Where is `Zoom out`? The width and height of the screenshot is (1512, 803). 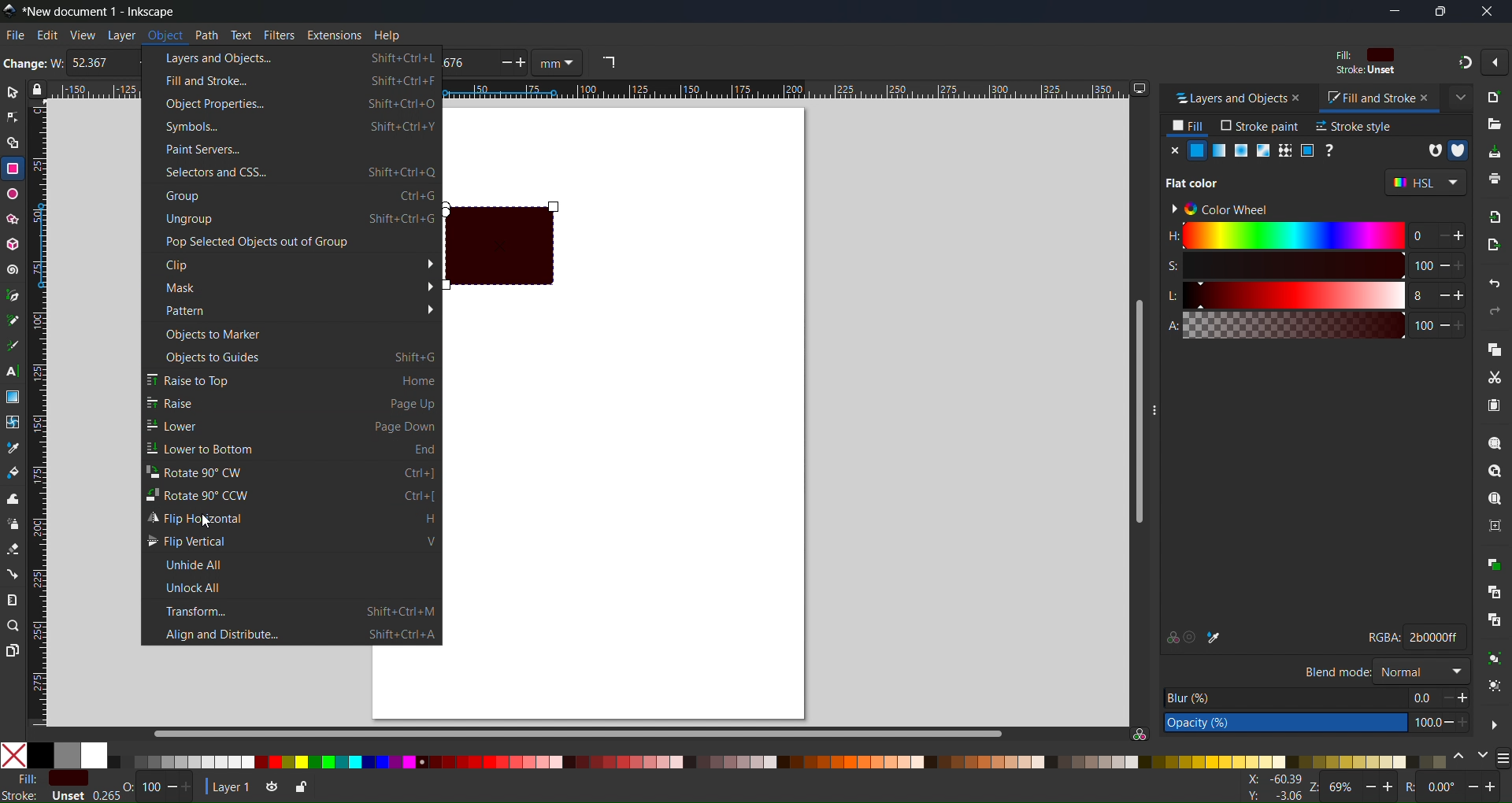 Zoom out is located at coordinates (1371, 787).